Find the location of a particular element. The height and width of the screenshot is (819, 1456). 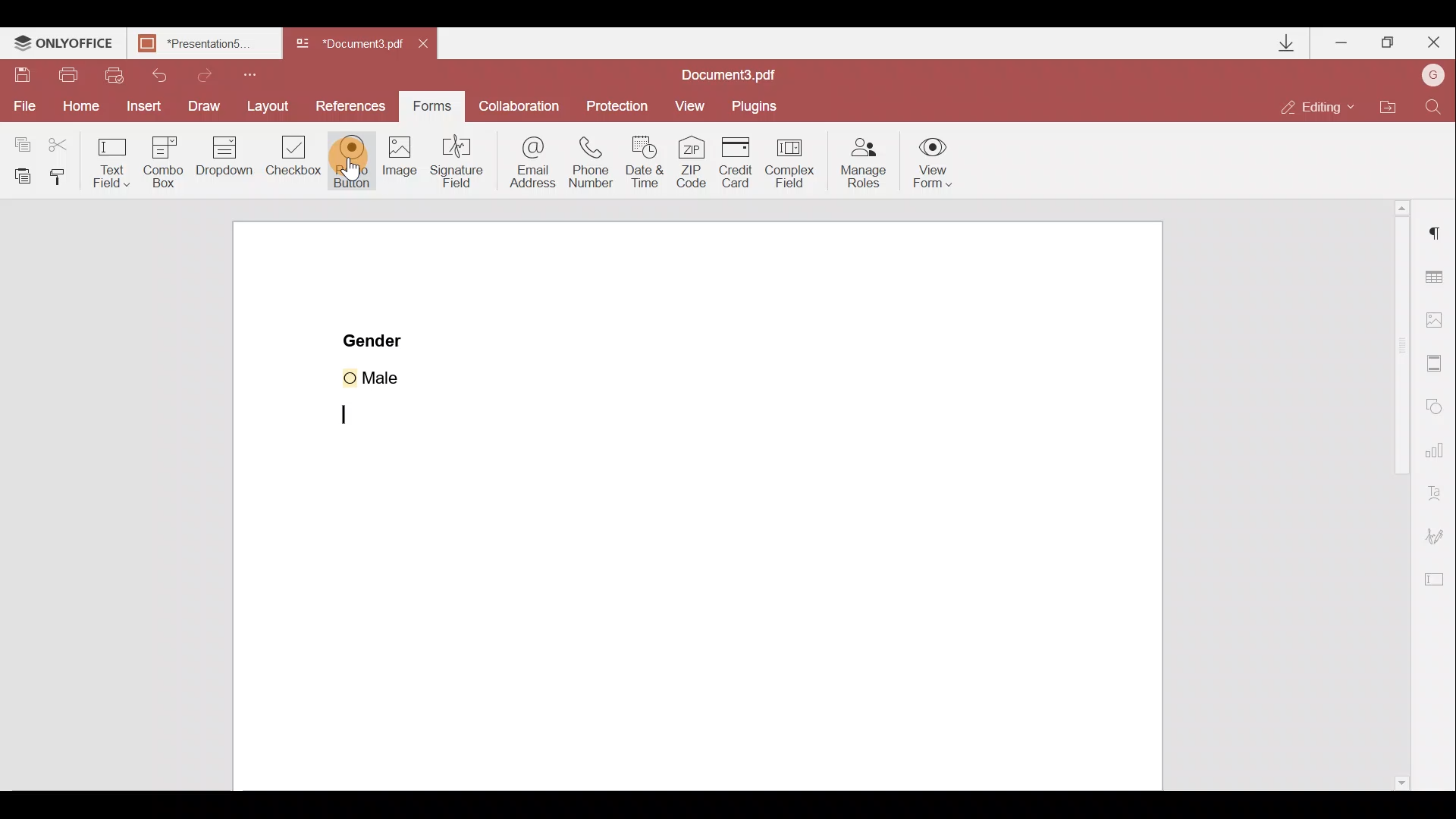

Form settings is located at coordinates (1438, 583).